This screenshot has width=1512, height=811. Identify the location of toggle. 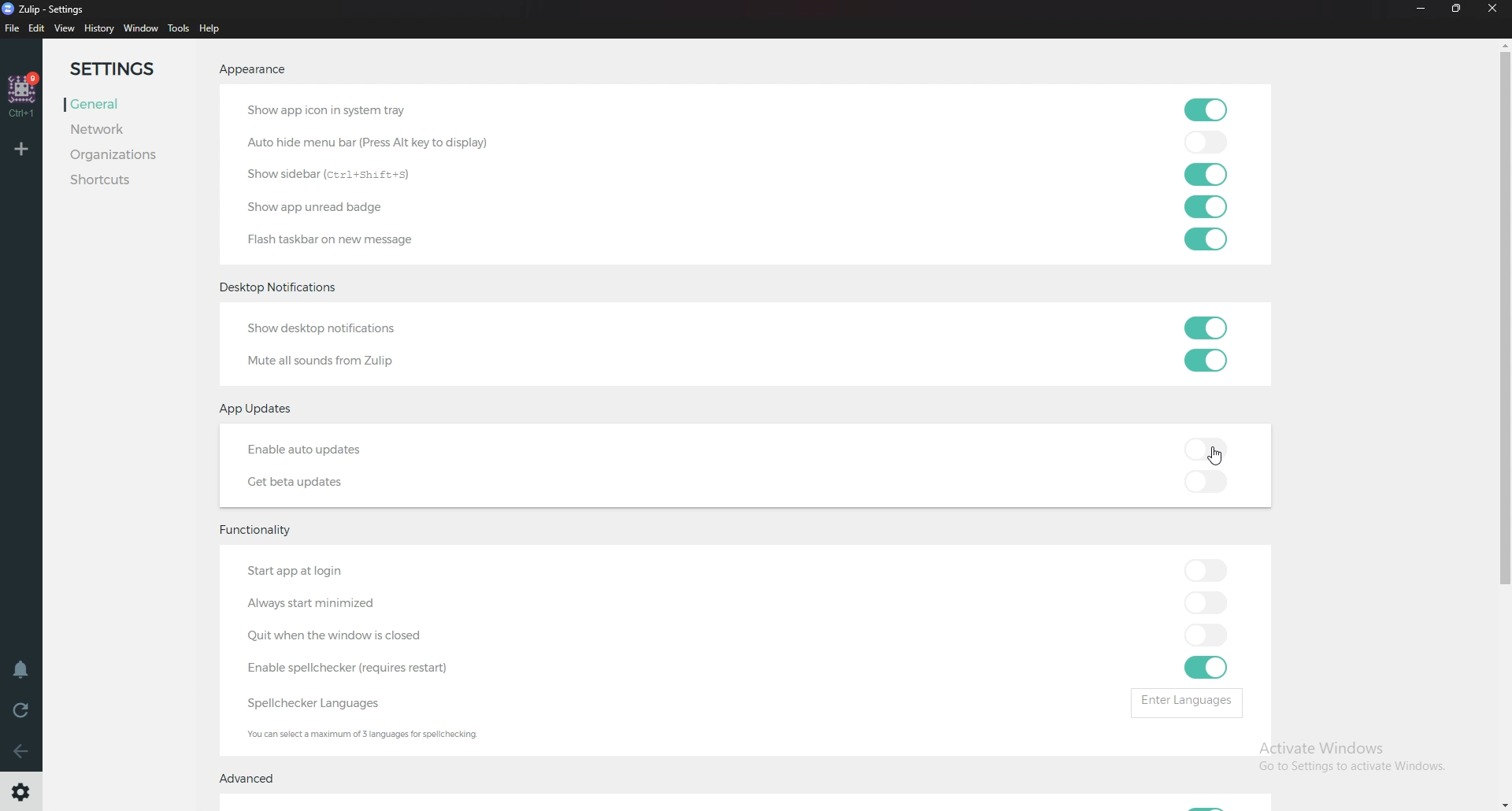
(1206, 361).